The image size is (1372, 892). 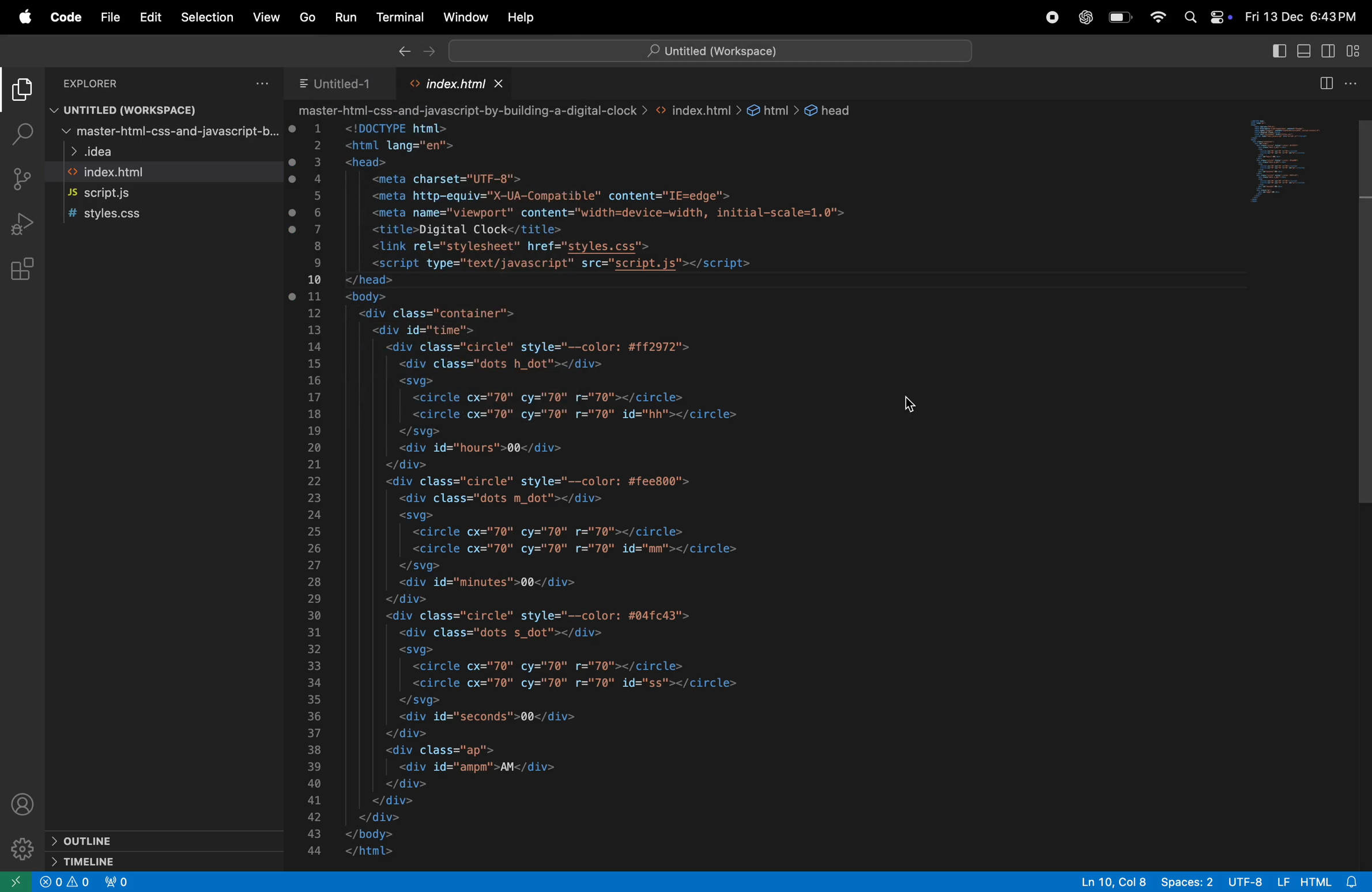 I want to click on battery, so click(x=1123, y=18).